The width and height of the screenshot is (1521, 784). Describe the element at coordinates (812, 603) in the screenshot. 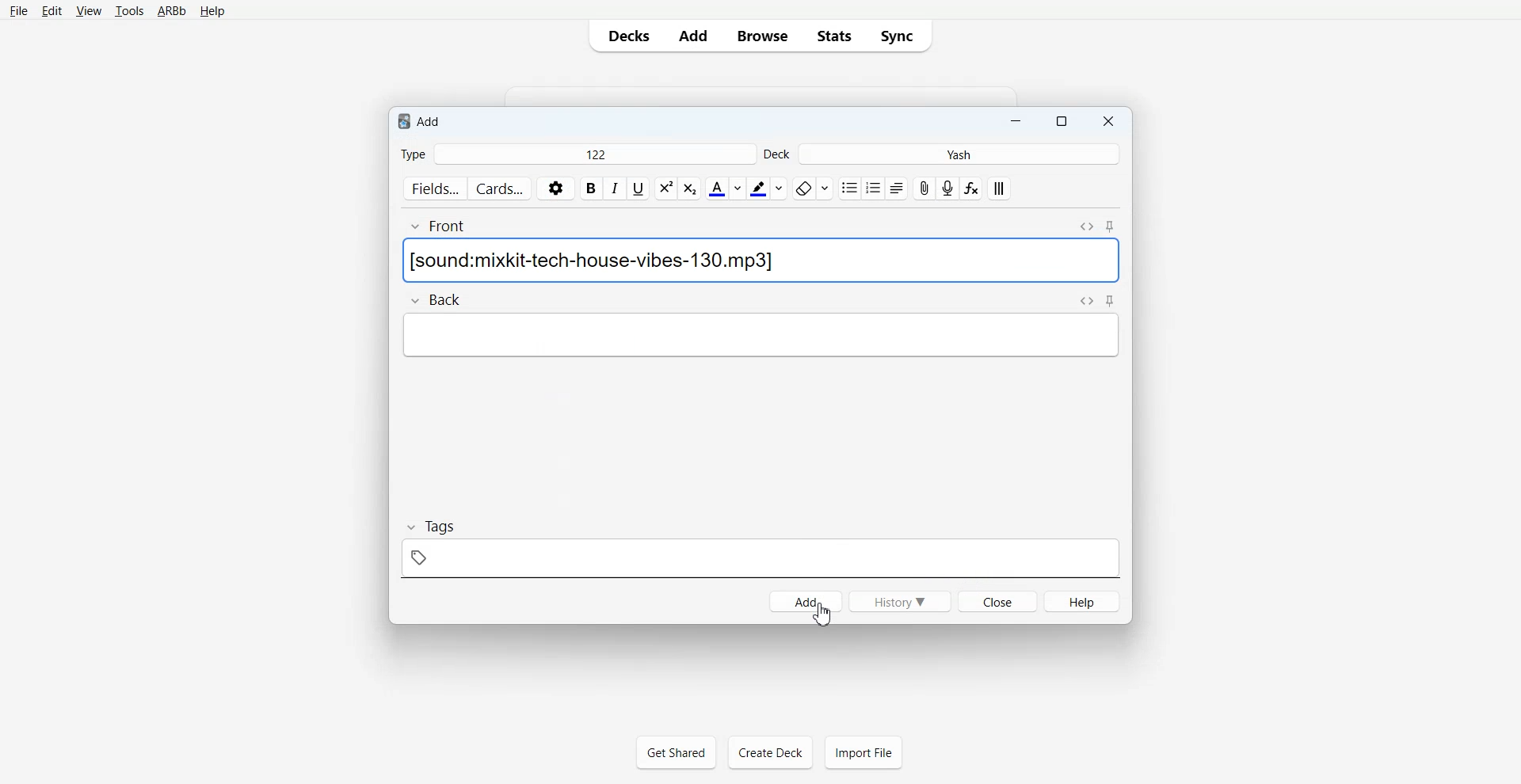

I see `add` at that location.